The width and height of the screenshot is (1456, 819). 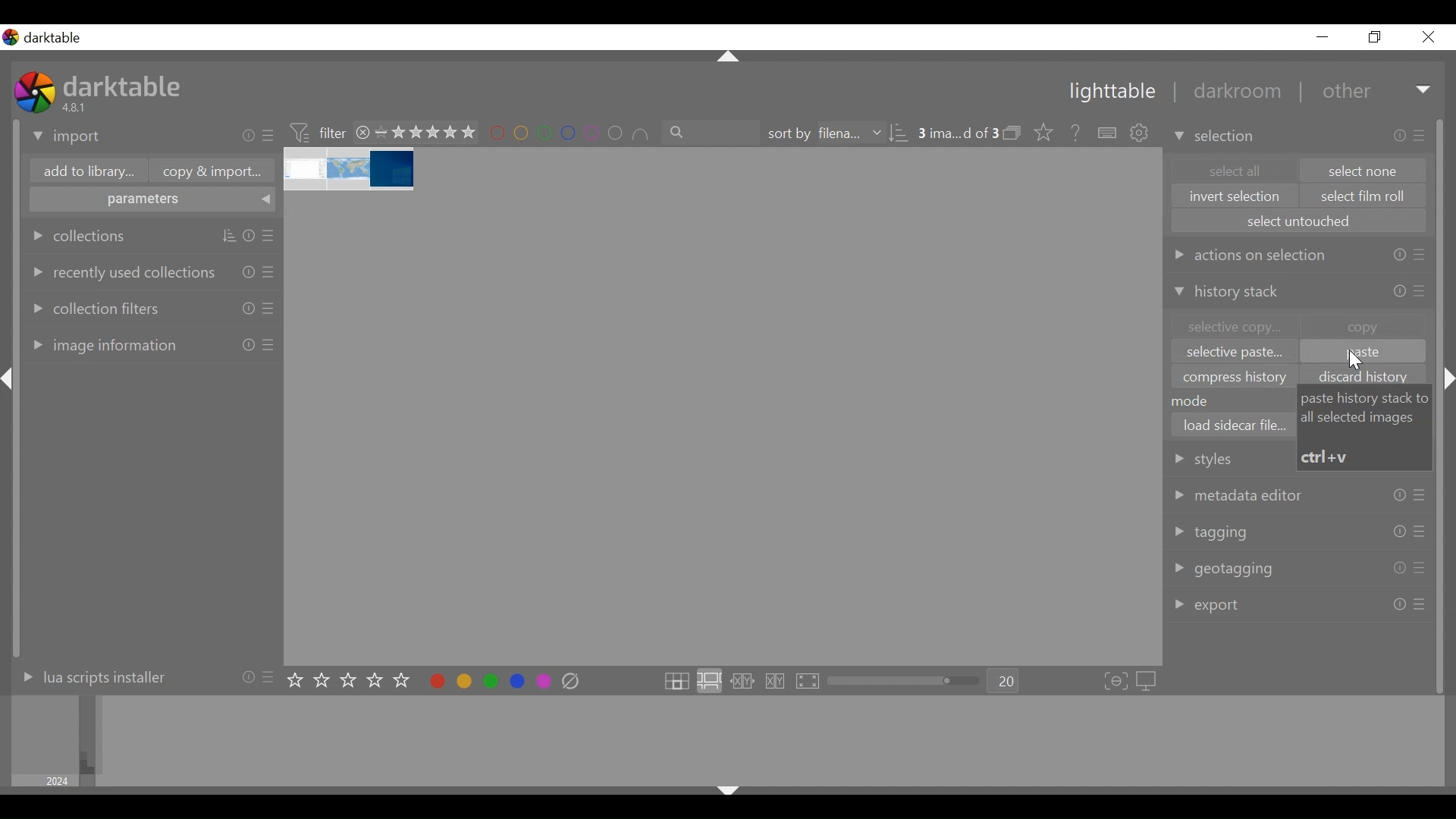 I want to click on darktable, so click(x=125, y=85).